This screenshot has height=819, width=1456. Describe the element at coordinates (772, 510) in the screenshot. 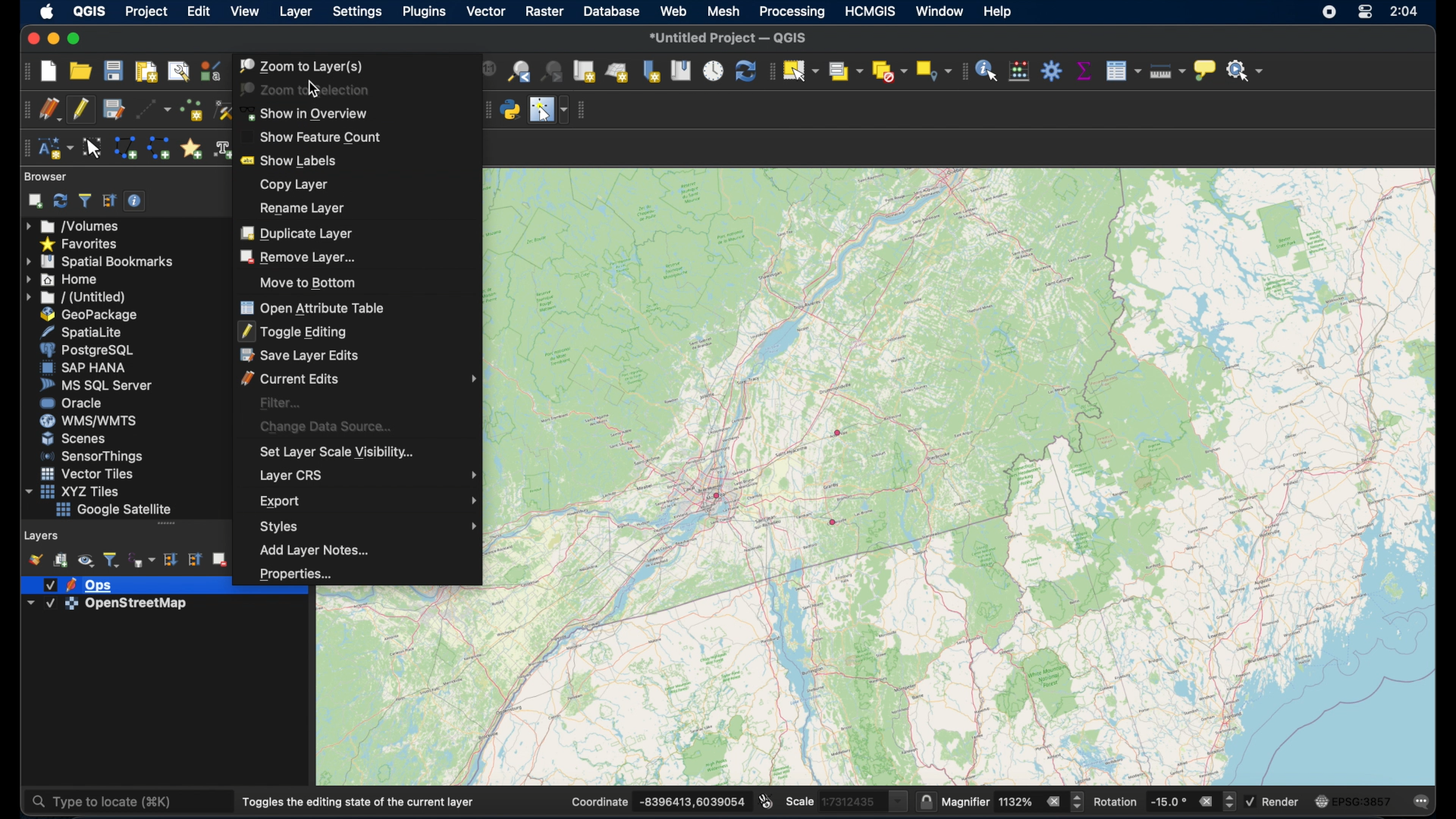

I see `open street map` at that location.